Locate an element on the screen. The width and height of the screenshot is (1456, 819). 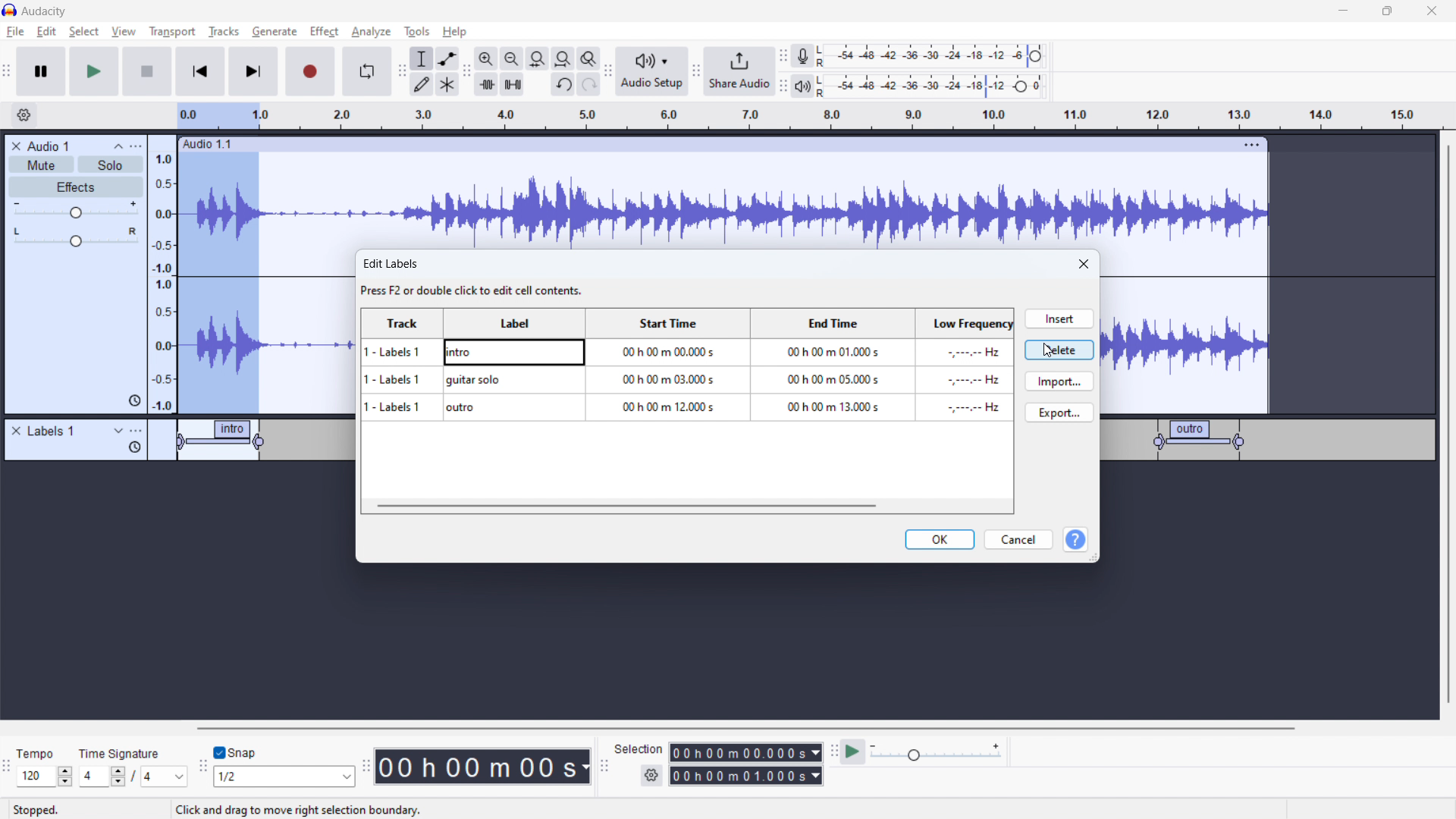
audio setup is located at coordinates (652, 72).